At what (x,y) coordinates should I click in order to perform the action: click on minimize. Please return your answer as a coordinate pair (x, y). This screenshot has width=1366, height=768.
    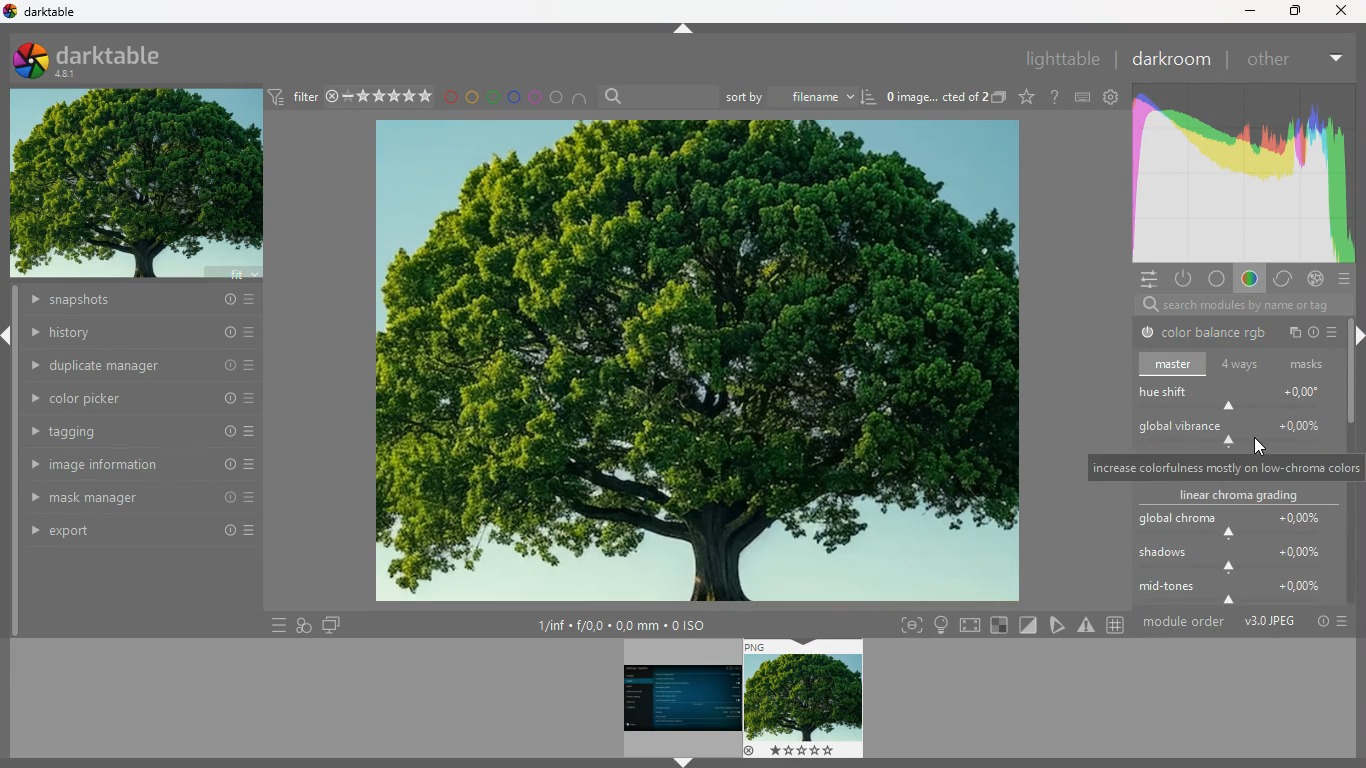
    Looking at the image, I should click on (1247, 12).